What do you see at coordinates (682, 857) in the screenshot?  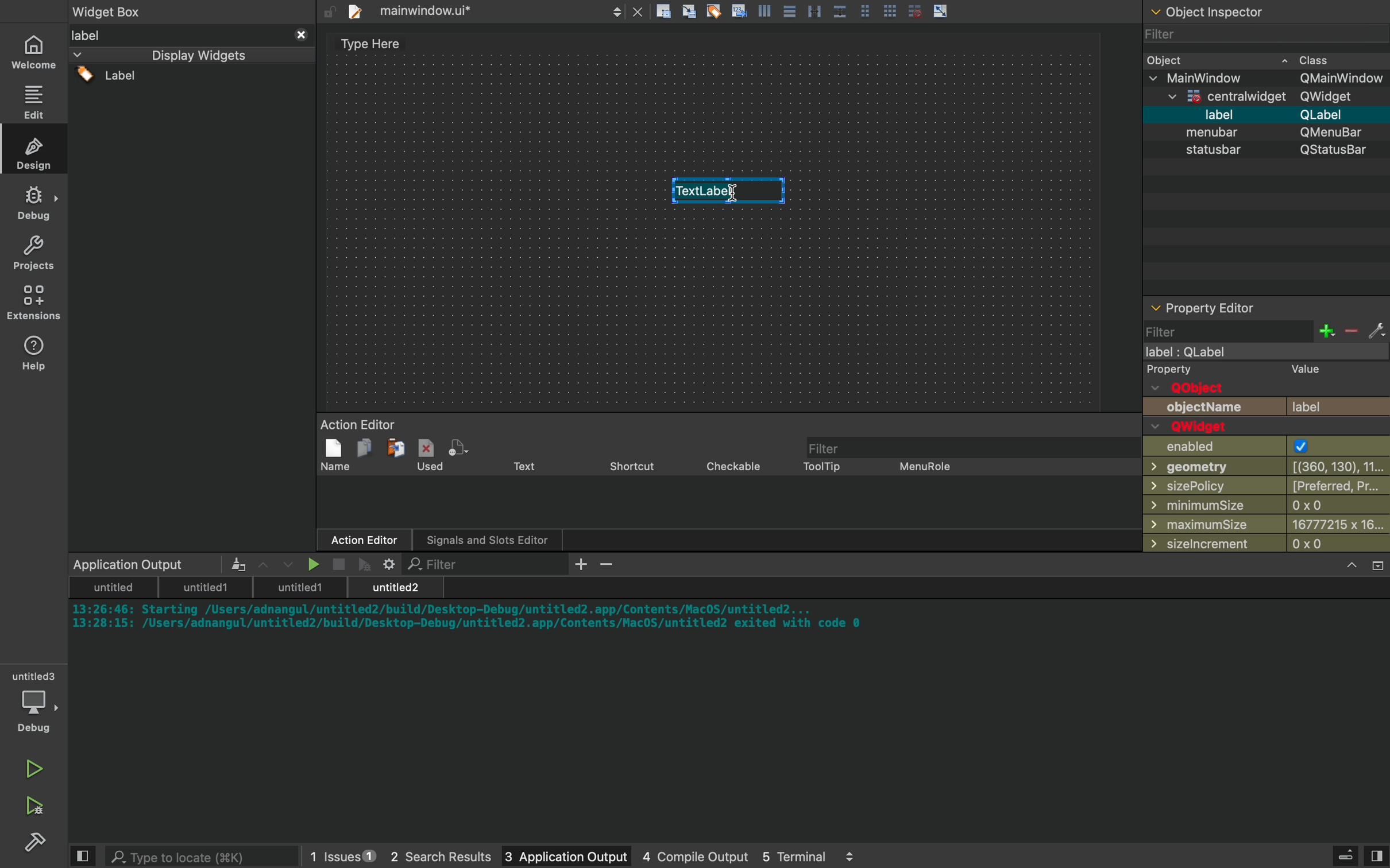 I see `4 console output` at bounding box center [682, 857].